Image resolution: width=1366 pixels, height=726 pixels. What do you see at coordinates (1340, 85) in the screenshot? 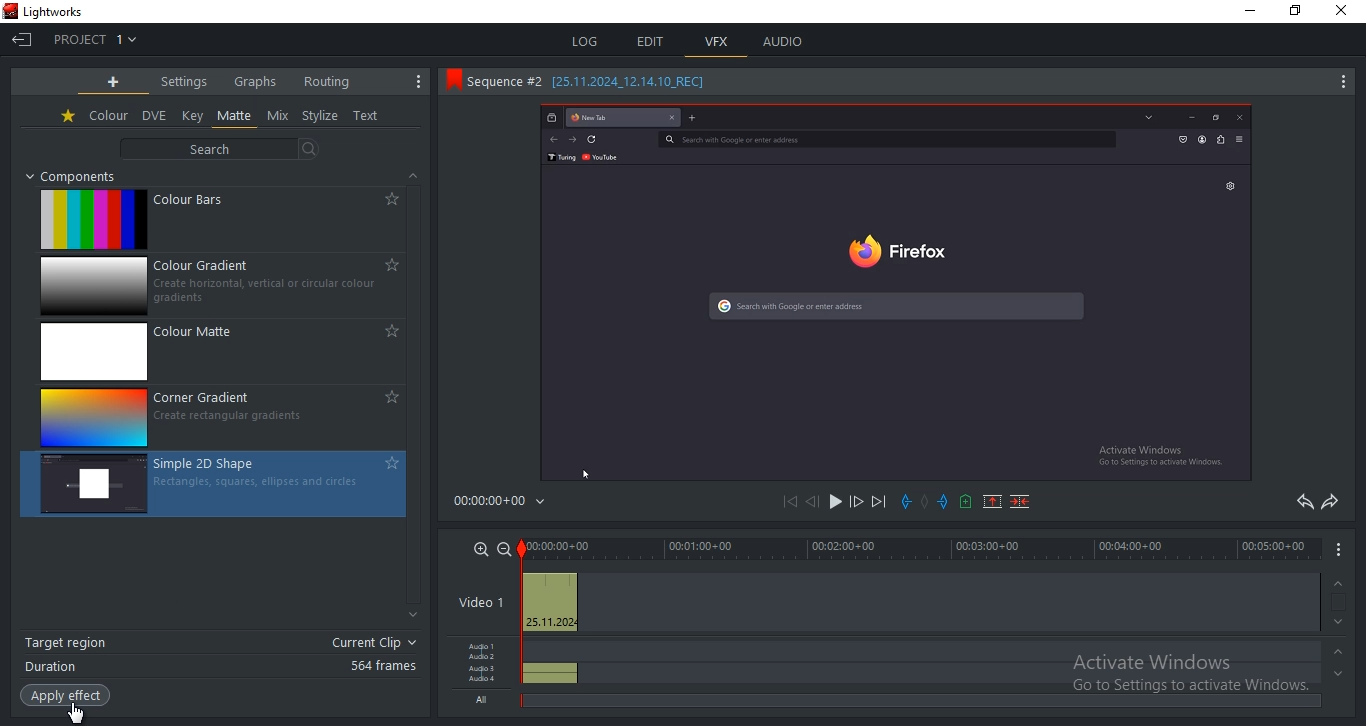
I see `more options` at bounding box center [1340, 85].